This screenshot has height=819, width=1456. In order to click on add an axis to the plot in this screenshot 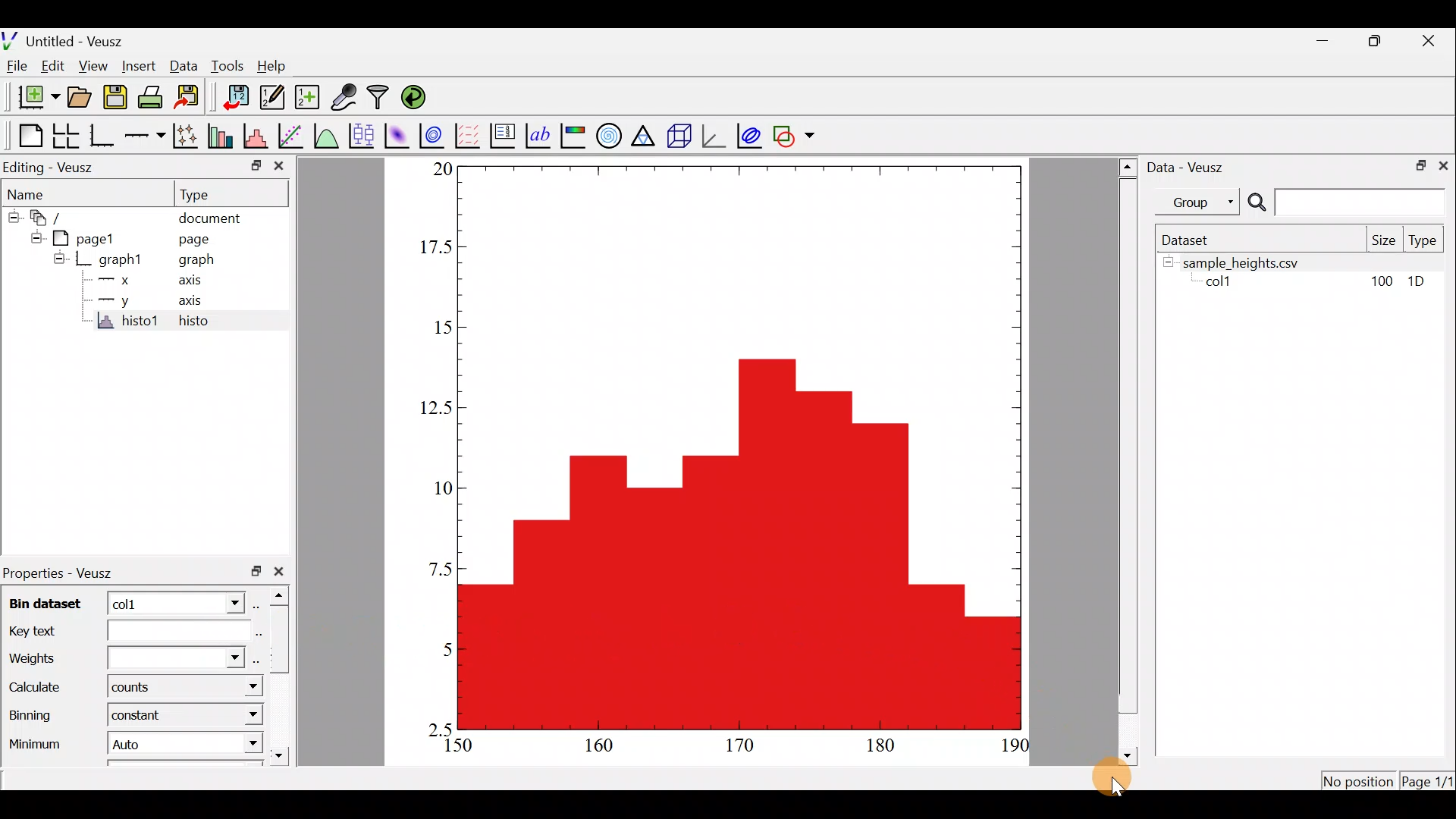, I will do `click(144, 138)`.